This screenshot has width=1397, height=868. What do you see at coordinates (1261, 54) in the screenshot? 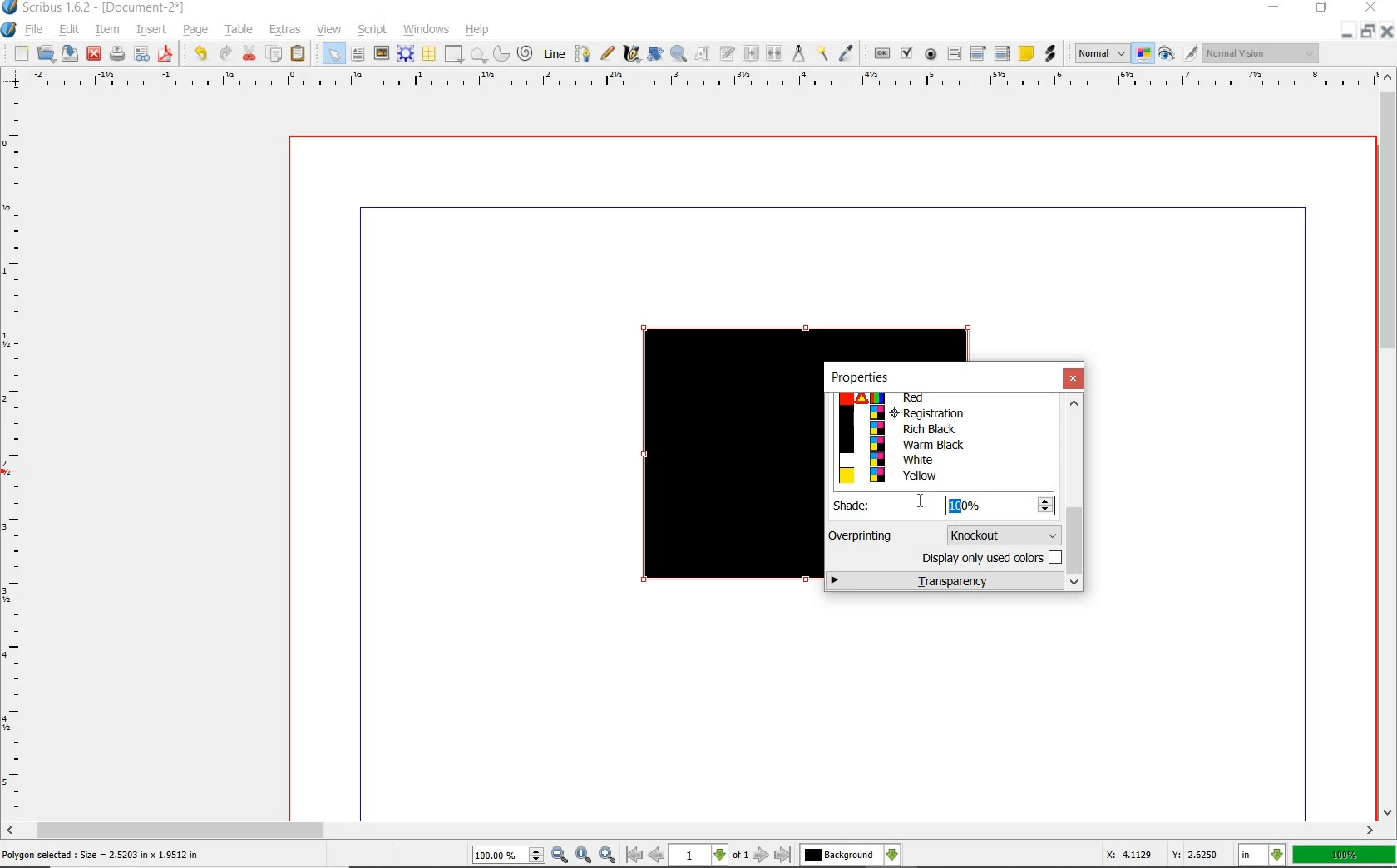
I see `Visual appearance of the display` at bounding box center [1261, 54].